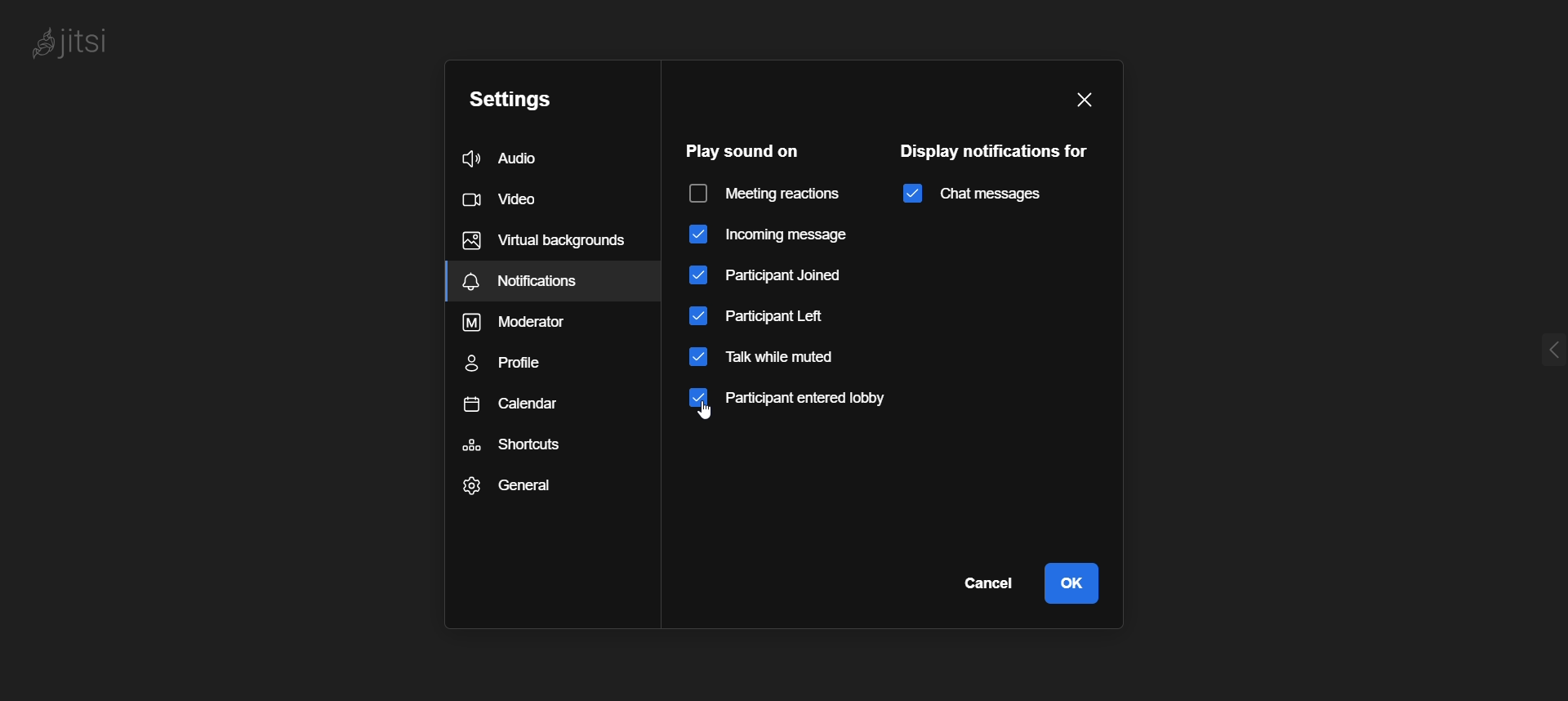 Image resolution: width=1568 pixels, height=701 pixels. I want to click on Virtual background, so click(544, 237).